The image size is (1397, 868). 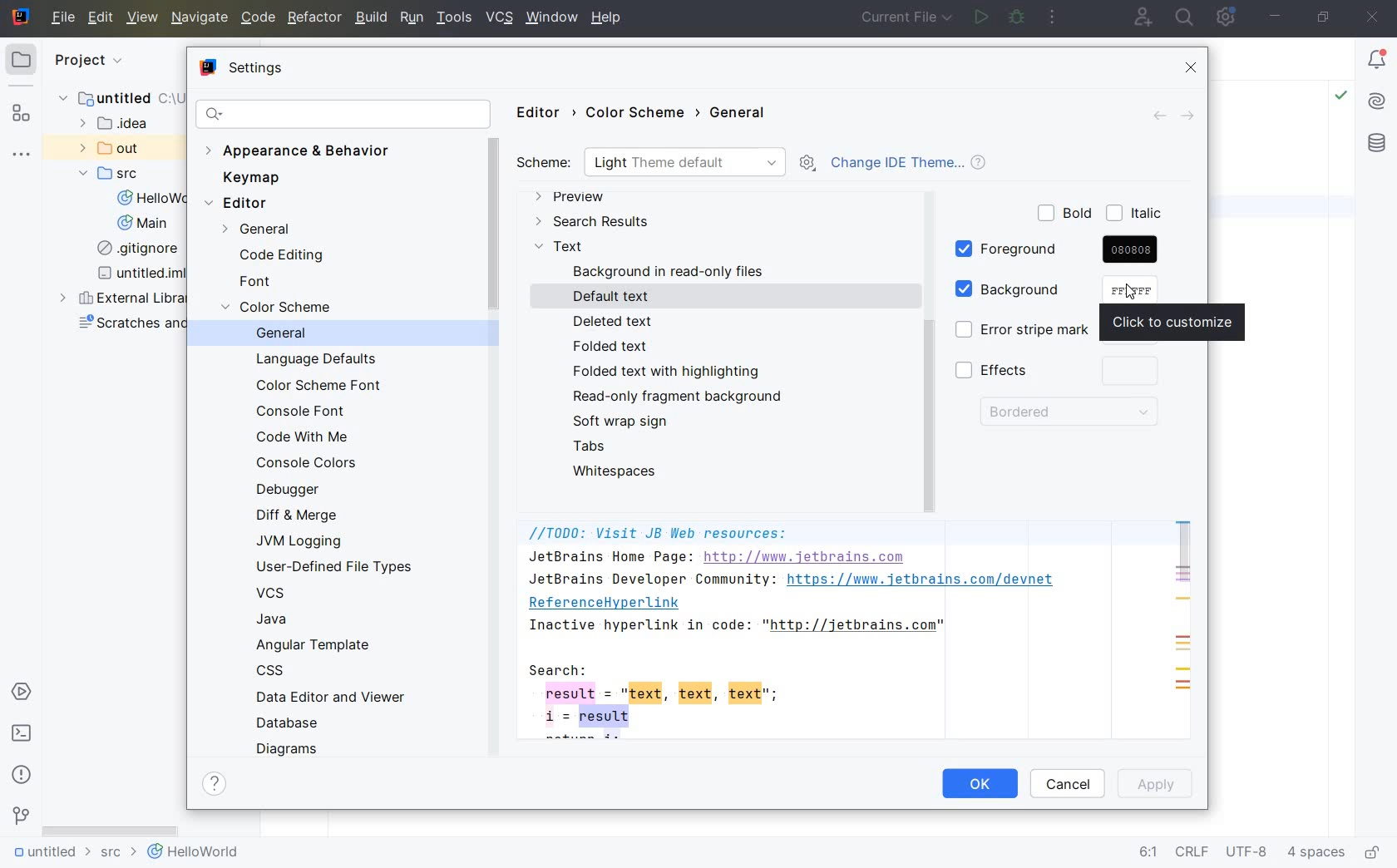 I want to click on window, so click(x=551, y=19).